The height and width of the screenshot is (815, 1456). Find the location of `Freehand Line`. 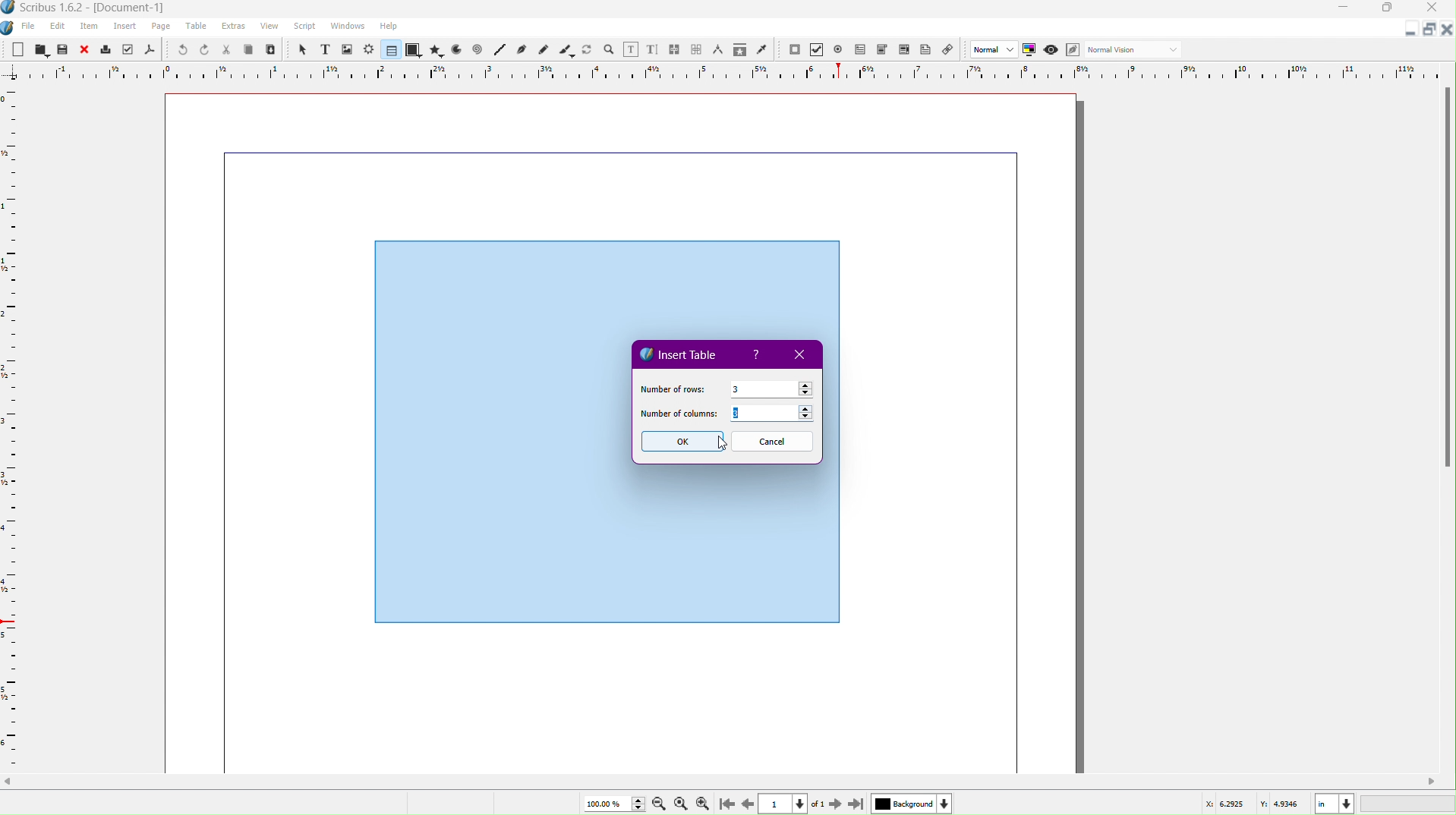

Freehand Line is located at coordinates (544, 49).